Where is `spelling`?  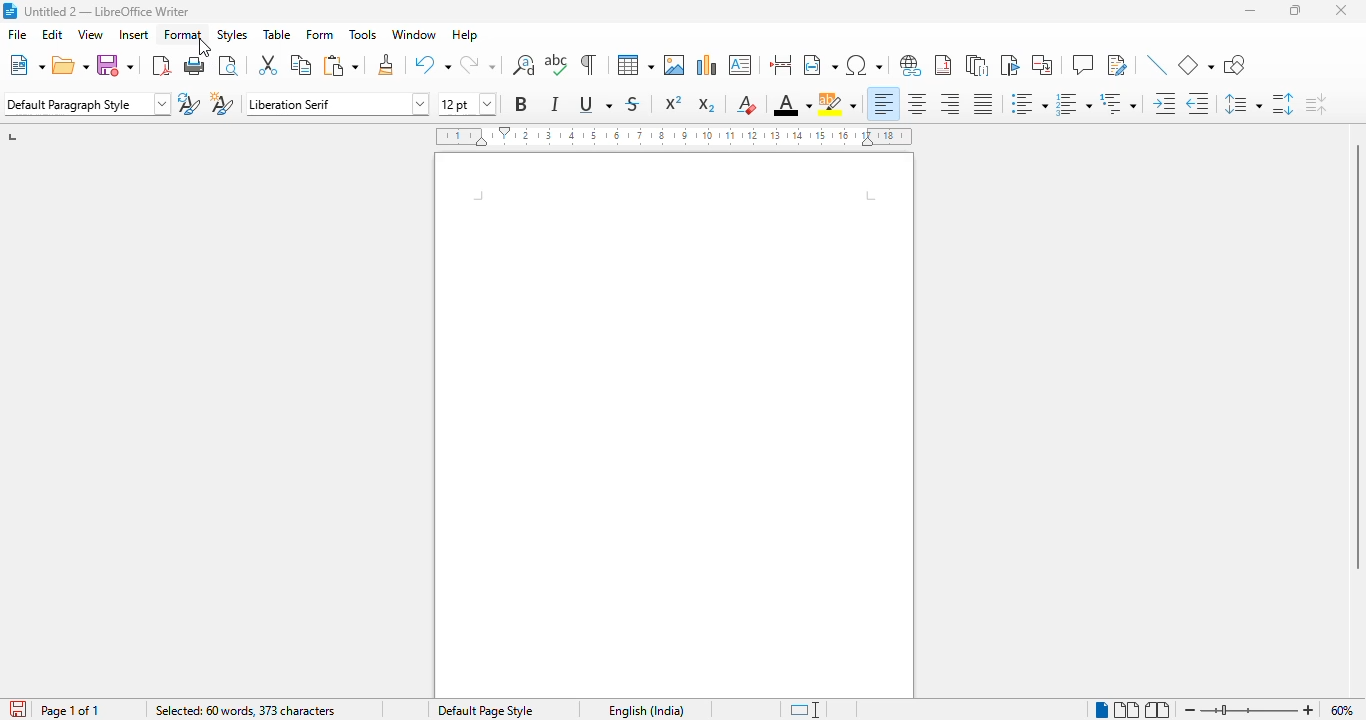
spelling is located at coordinates (557, 65).